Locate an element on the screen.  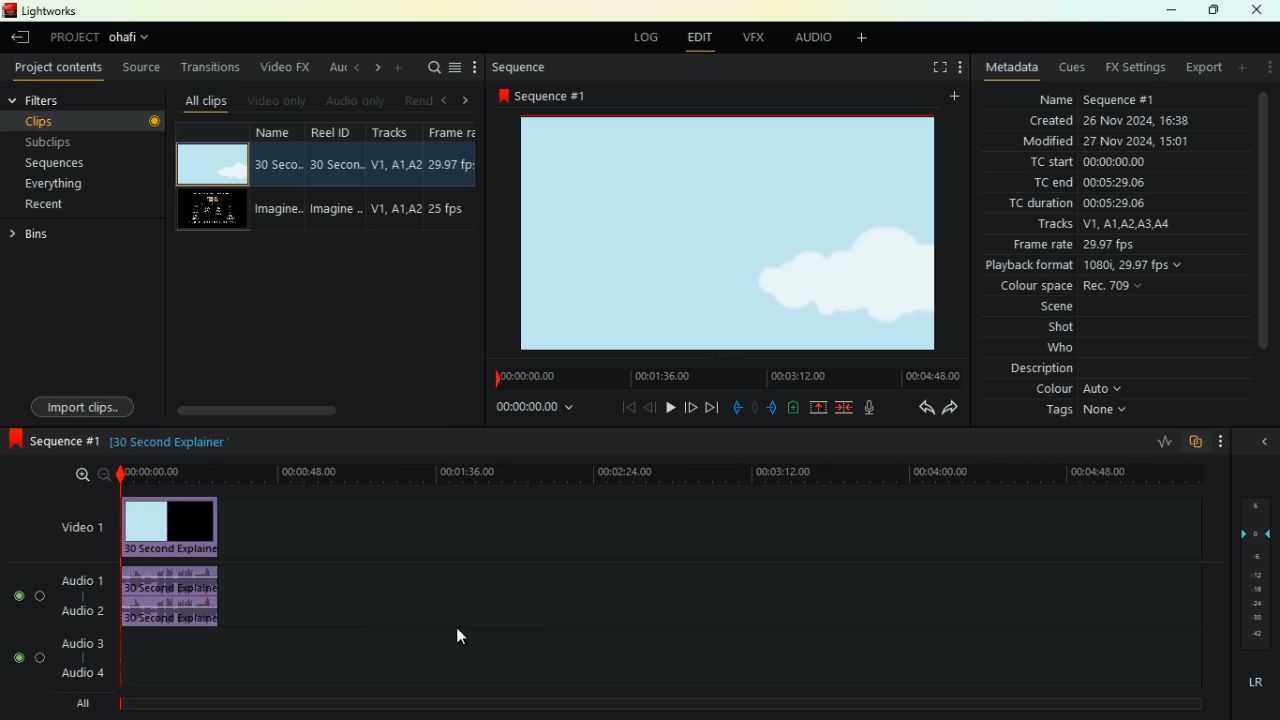
image is located at coordinates (734, 233).